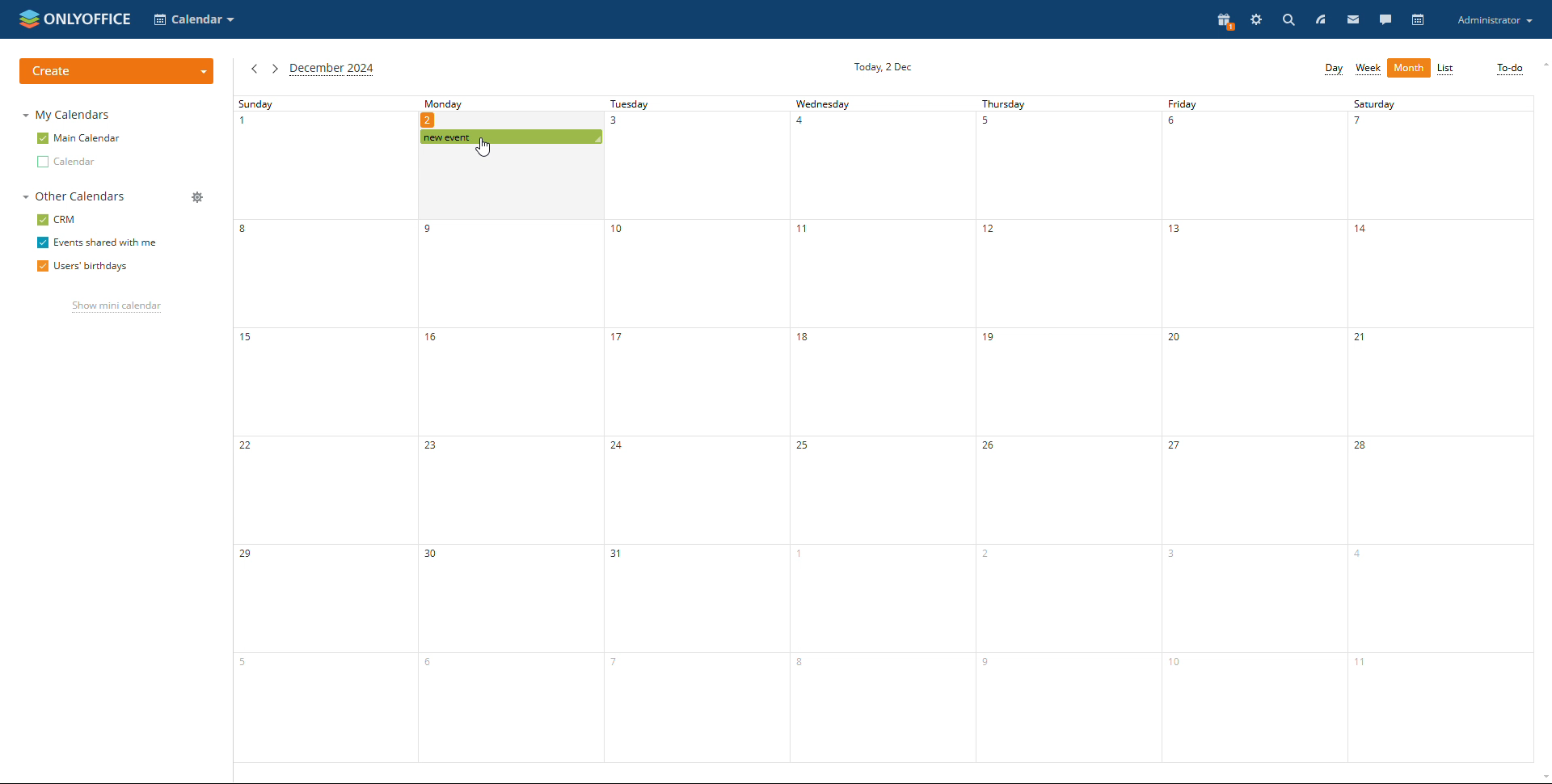  Describe the element at coordinates (1225, 21) in the screenshot. I see `present` at that location.